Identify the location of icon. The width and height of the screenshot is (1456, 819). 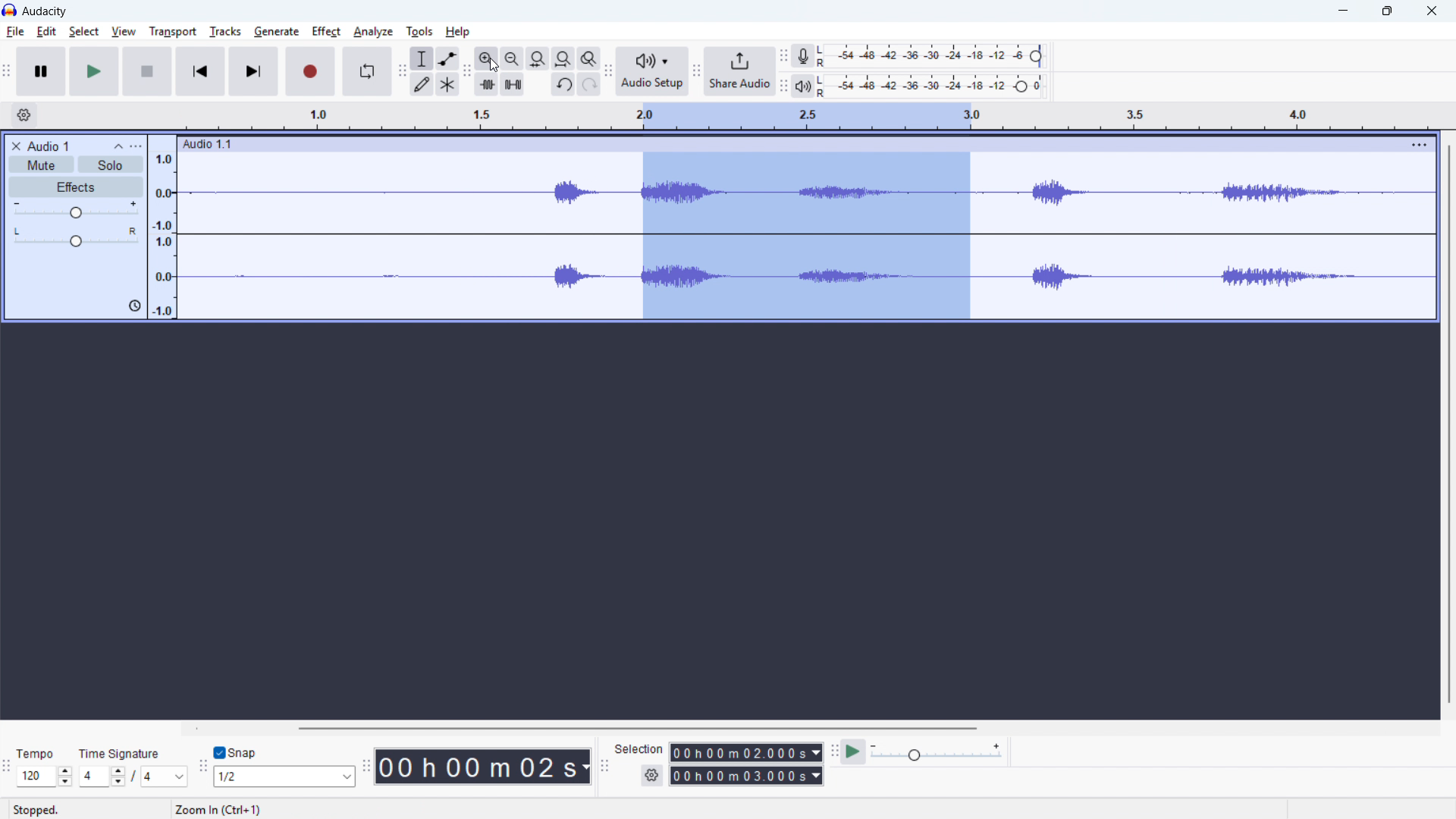
(132, 307).